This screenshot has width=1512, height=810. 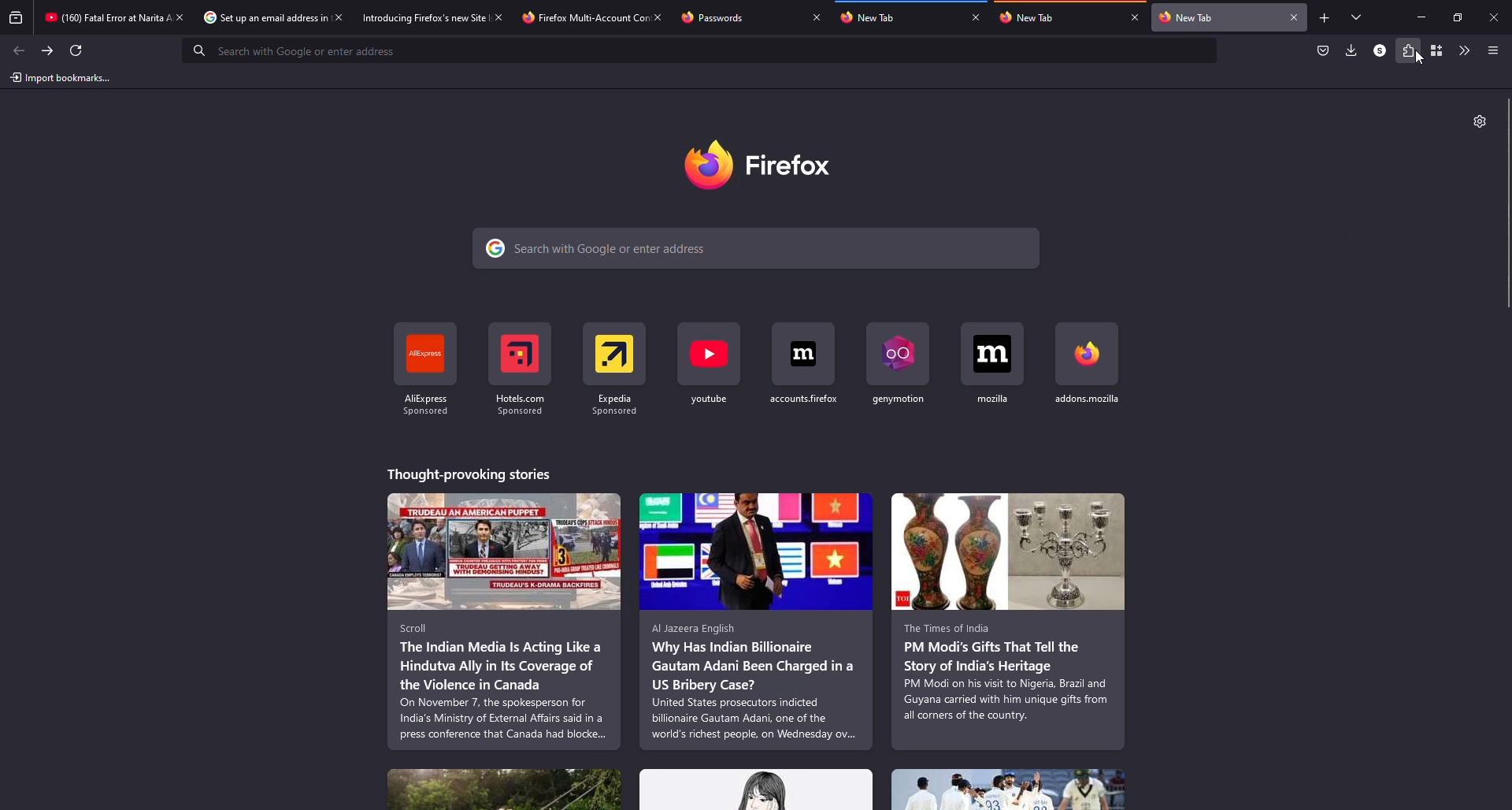 What do you see at coordinates (47, 50) in the screenshot?
I see `forward` at bounding box center [47, 50].